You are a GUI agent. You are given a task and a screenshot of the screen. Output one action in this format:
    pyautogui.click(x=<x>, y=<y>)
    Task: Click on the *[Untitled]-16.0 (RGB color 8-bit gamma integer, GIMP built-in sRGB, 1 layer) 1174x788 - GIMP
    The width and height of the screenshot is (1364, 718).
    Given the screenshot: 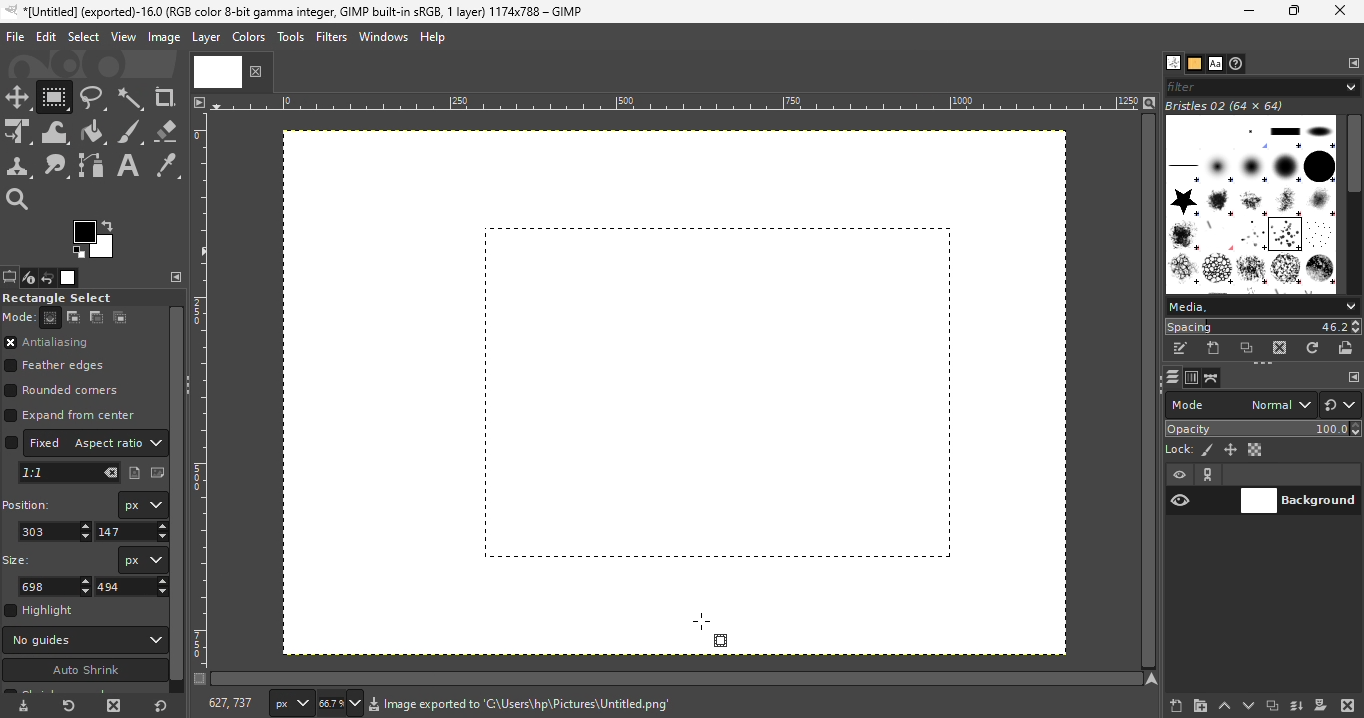 What is the action you would take?
    pyautogui.click(x=290, y=13)
    